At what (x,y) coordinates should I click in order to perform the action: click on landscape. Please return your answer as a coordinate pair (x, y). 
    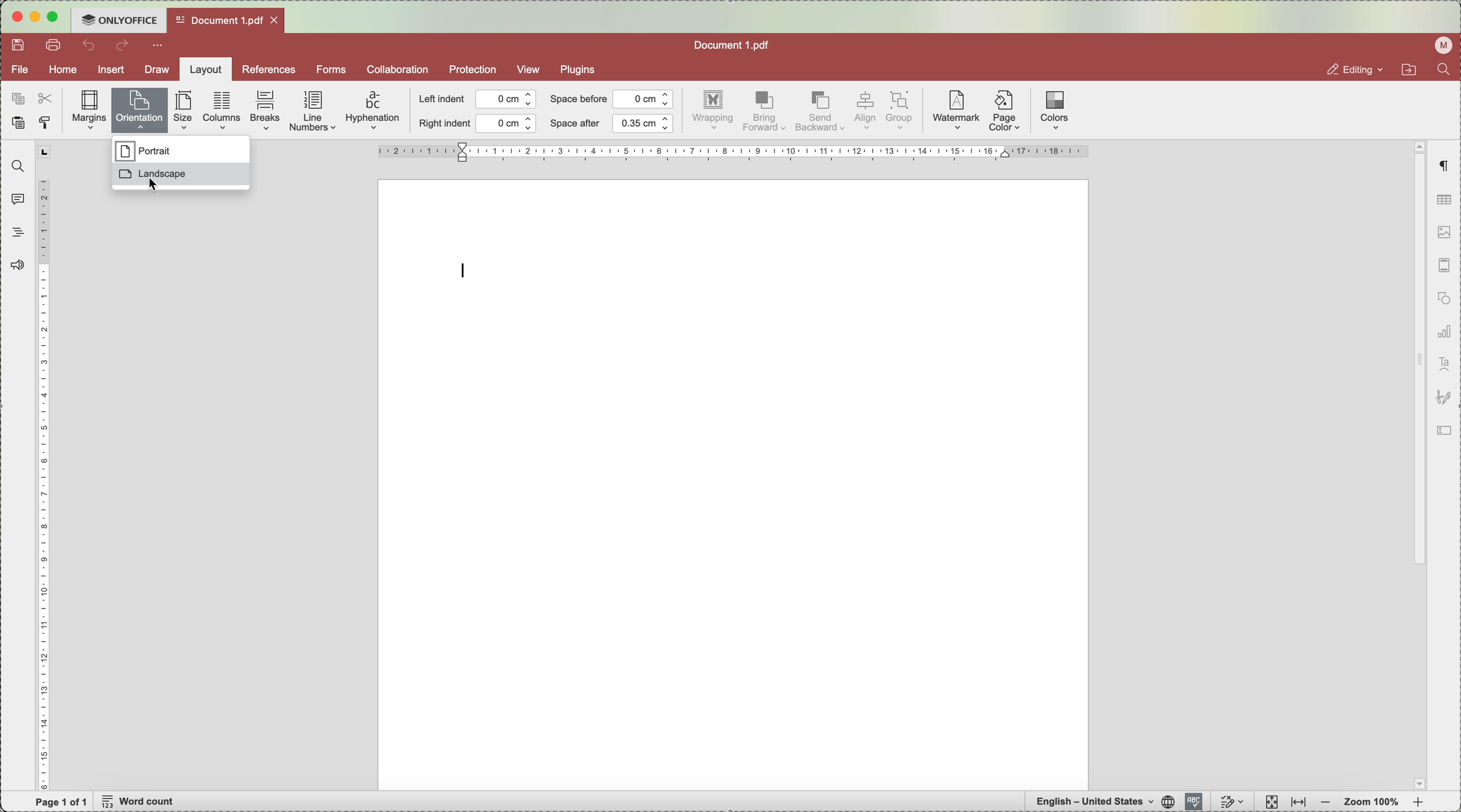
    Looking at the image, I should click on (181, 177).